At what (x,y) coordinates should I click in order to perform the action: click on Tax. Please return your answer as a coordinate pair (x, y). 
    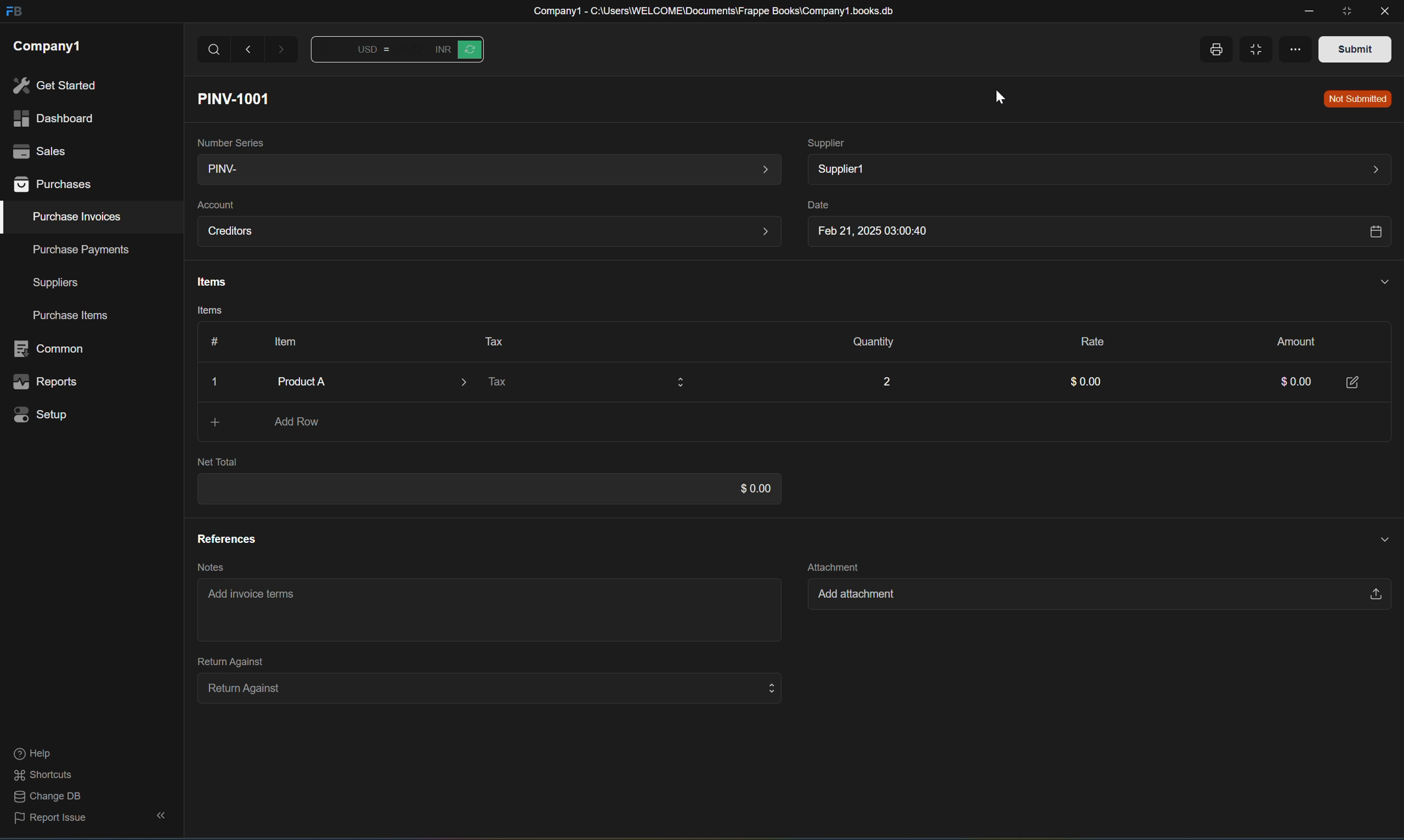
    Looking at the image, I should click on (584, 384).